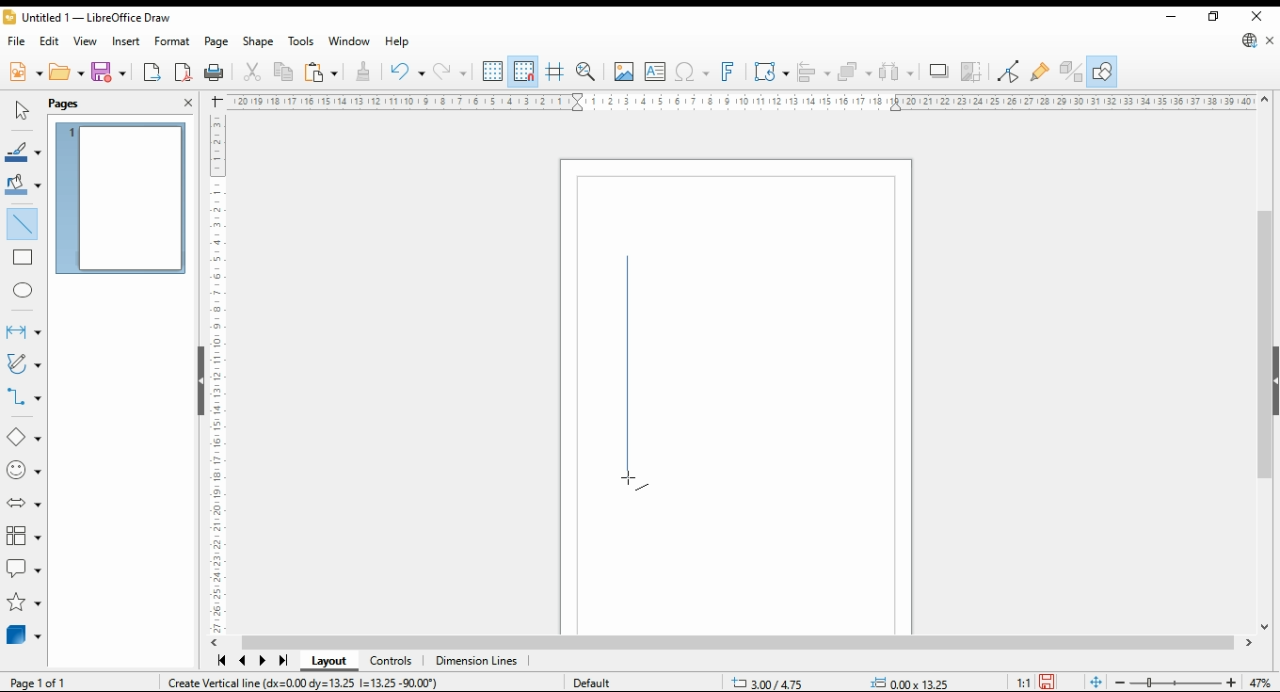  What do you see at coordinates (1022, 681) in the screenshot?
I see `1:1` at bounding box center [1022, 681].